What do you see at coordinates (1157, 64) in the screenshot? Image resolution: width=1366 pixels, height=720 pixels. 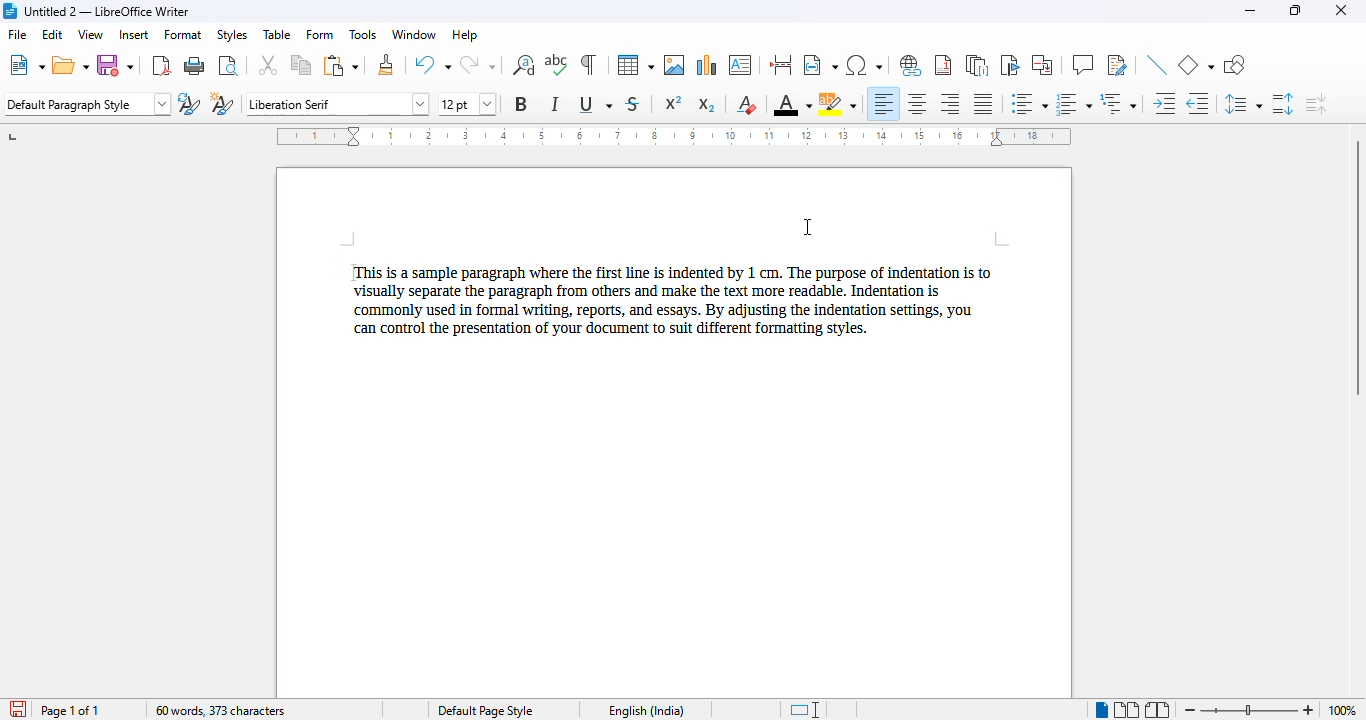 I see `insert line` at bounding box center [1157, 64].